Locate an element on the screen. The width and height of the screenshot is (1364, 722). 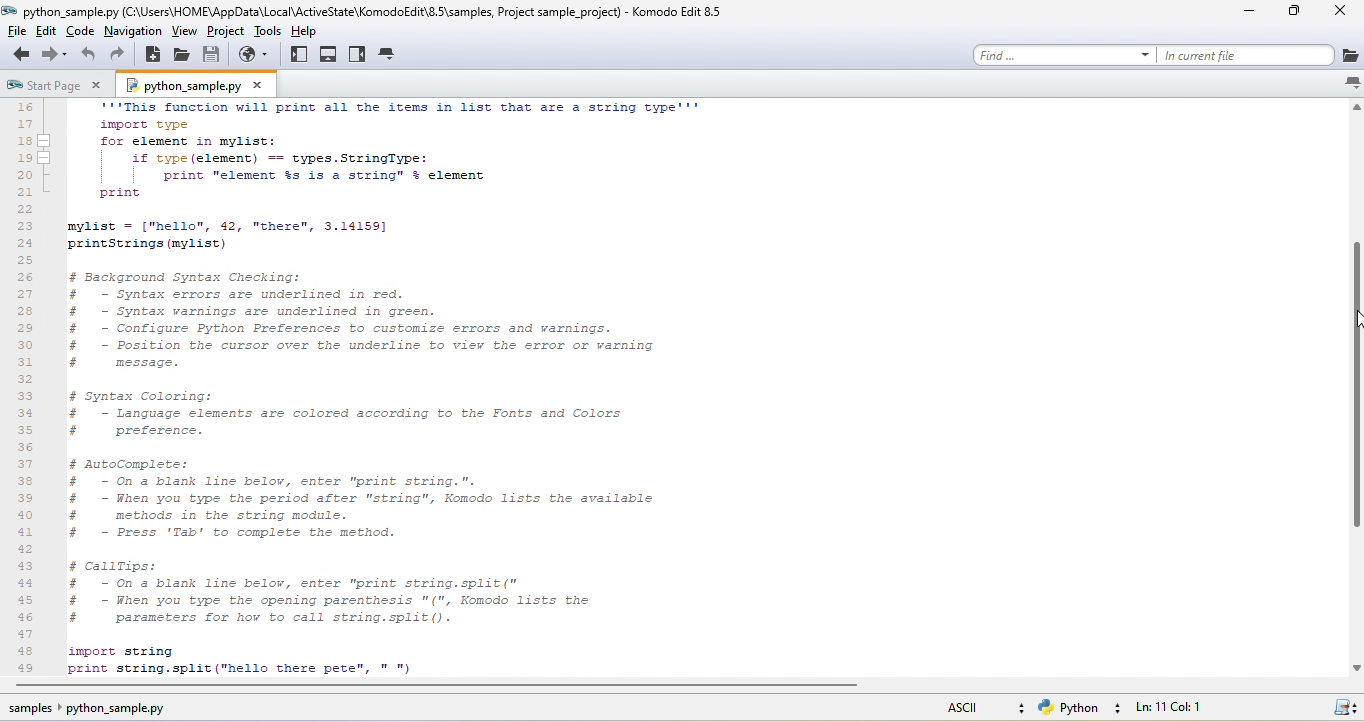
browse is located at coordinates (258, 54).